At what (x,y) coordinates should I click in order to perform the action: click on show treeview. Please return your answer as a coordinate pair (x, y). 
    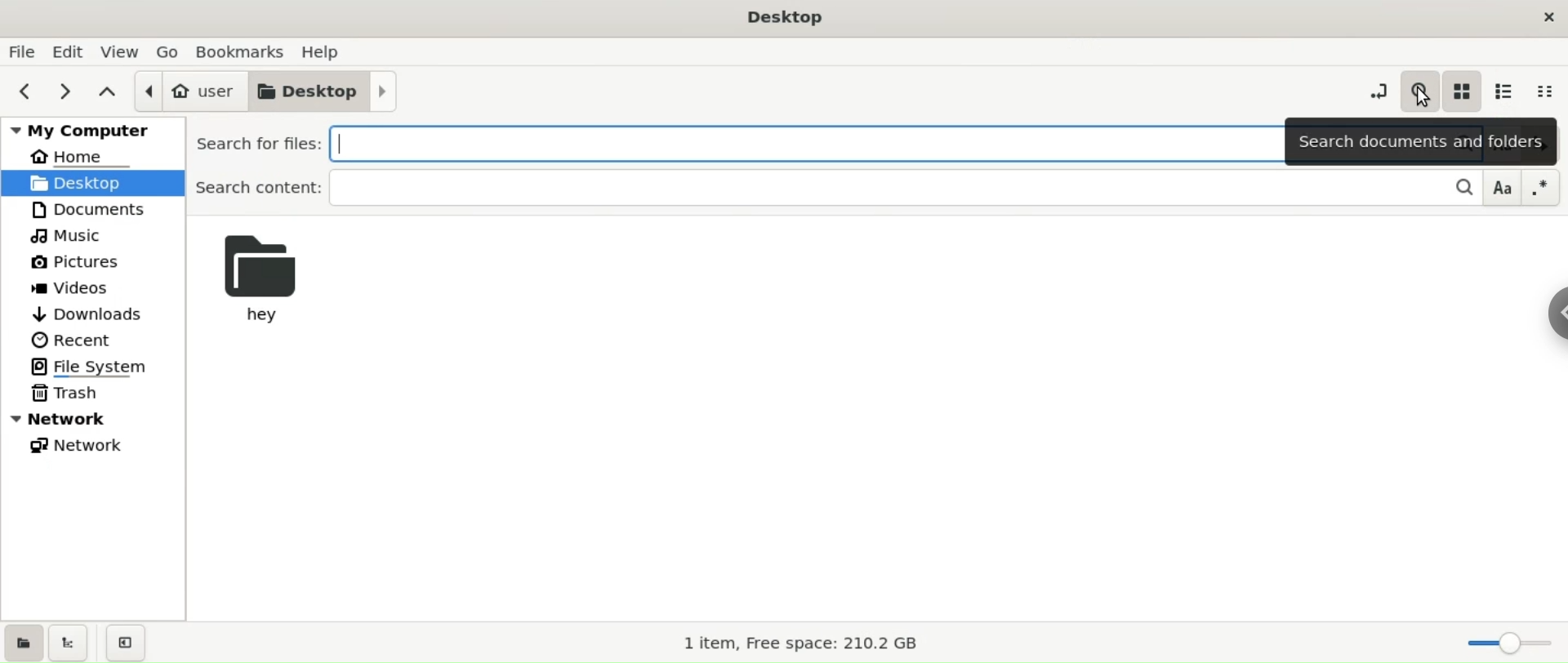
    Looking at the image, I should click on (70, 642).